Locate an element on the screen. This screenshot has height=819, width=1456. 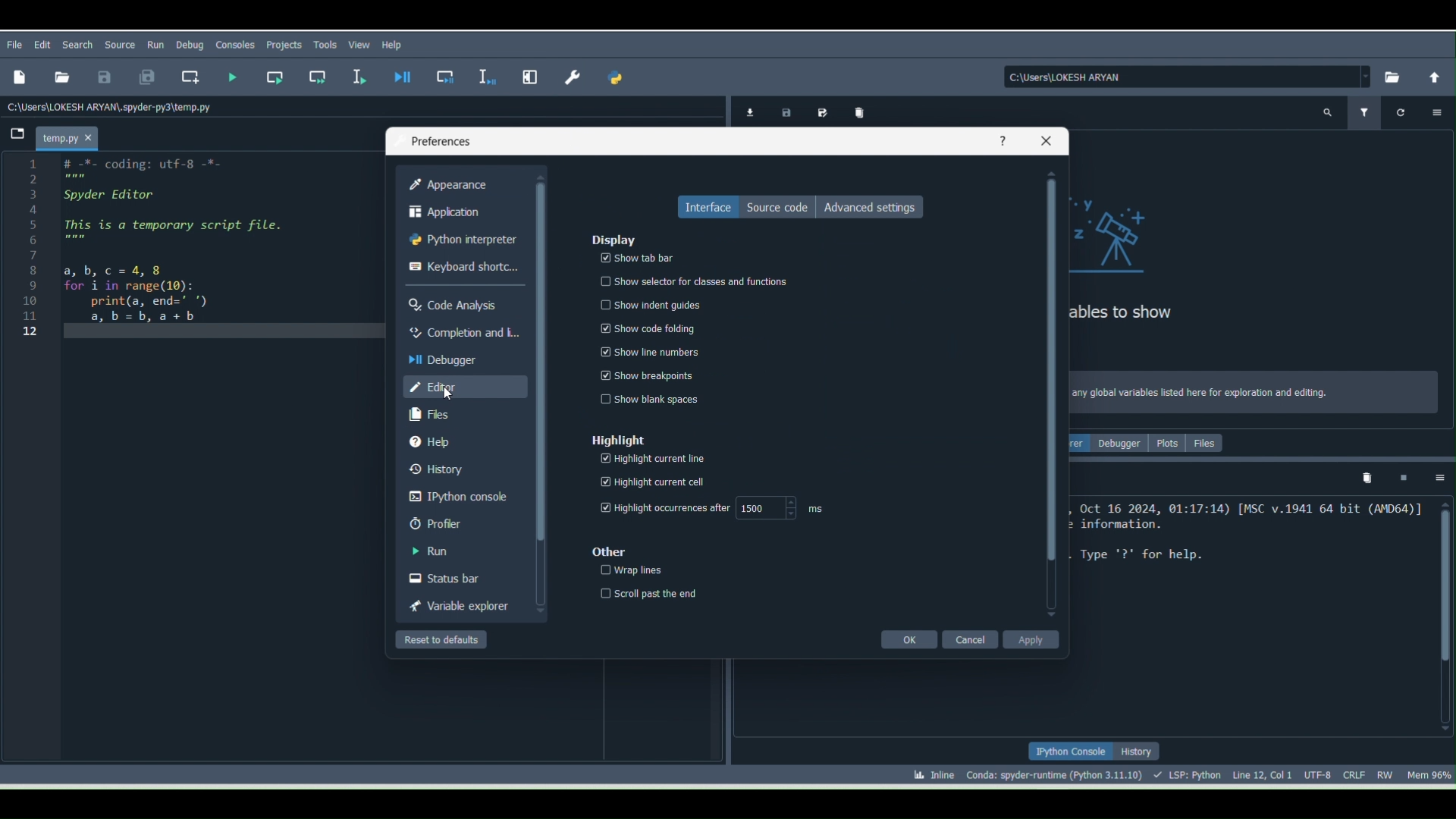
Search variable names and types ( Ctrl + F) is located at coordinates (1327, 115).